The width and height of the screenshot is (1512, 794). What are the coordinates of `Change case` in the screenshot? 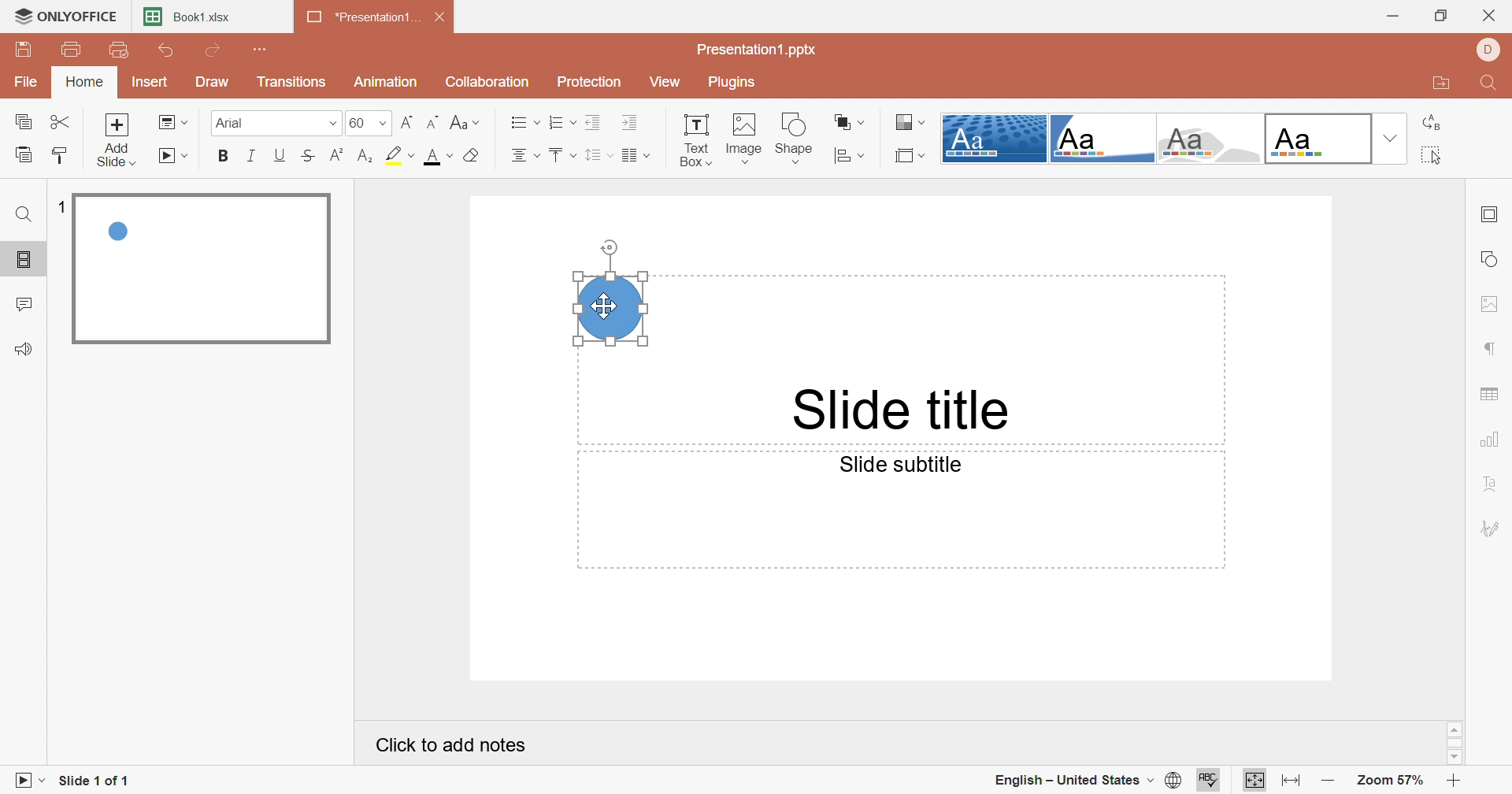 It's located at (465, 121).